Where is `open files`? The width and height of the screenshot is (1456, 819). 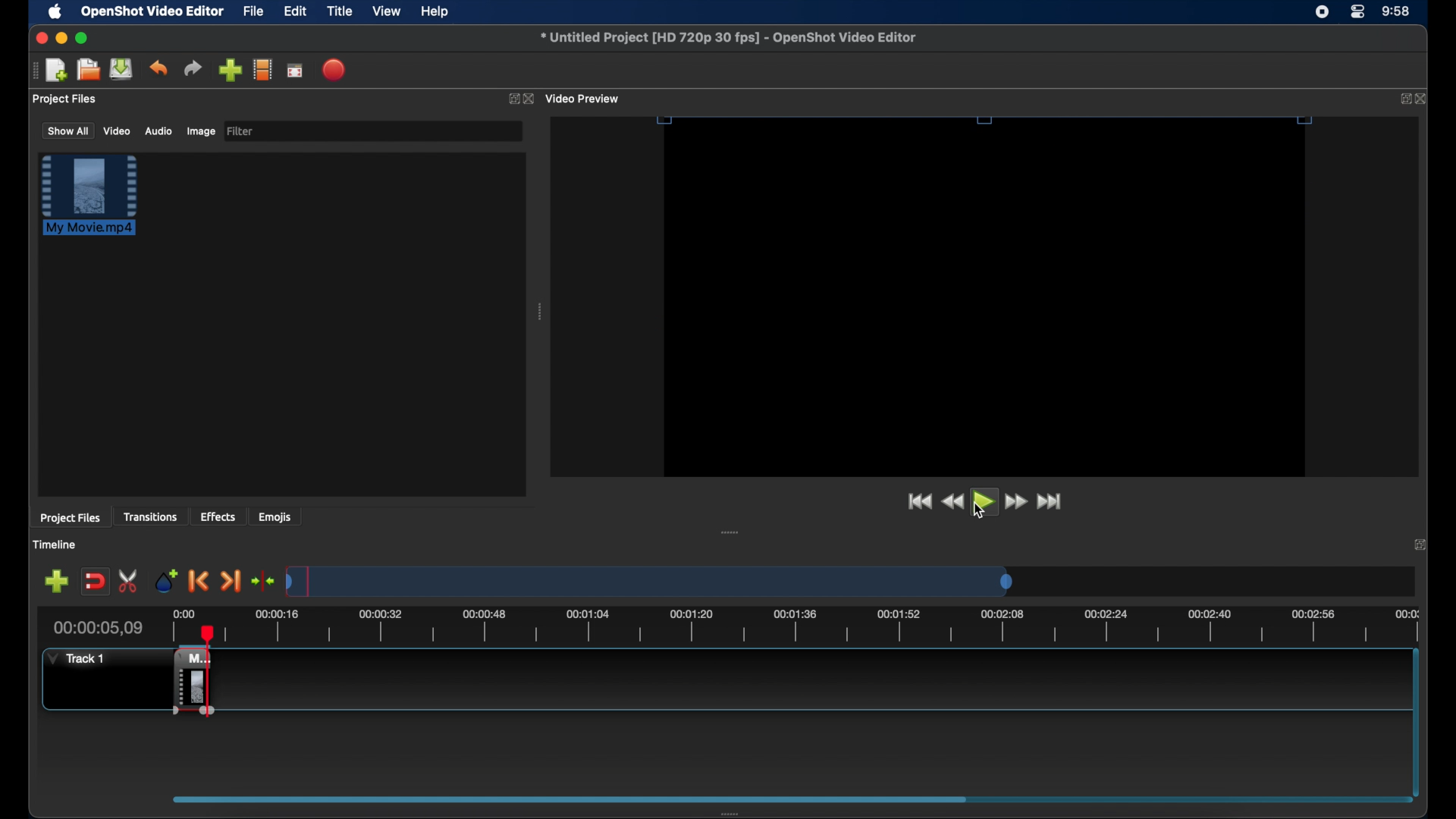
open files is located at coordinates (89, 71).